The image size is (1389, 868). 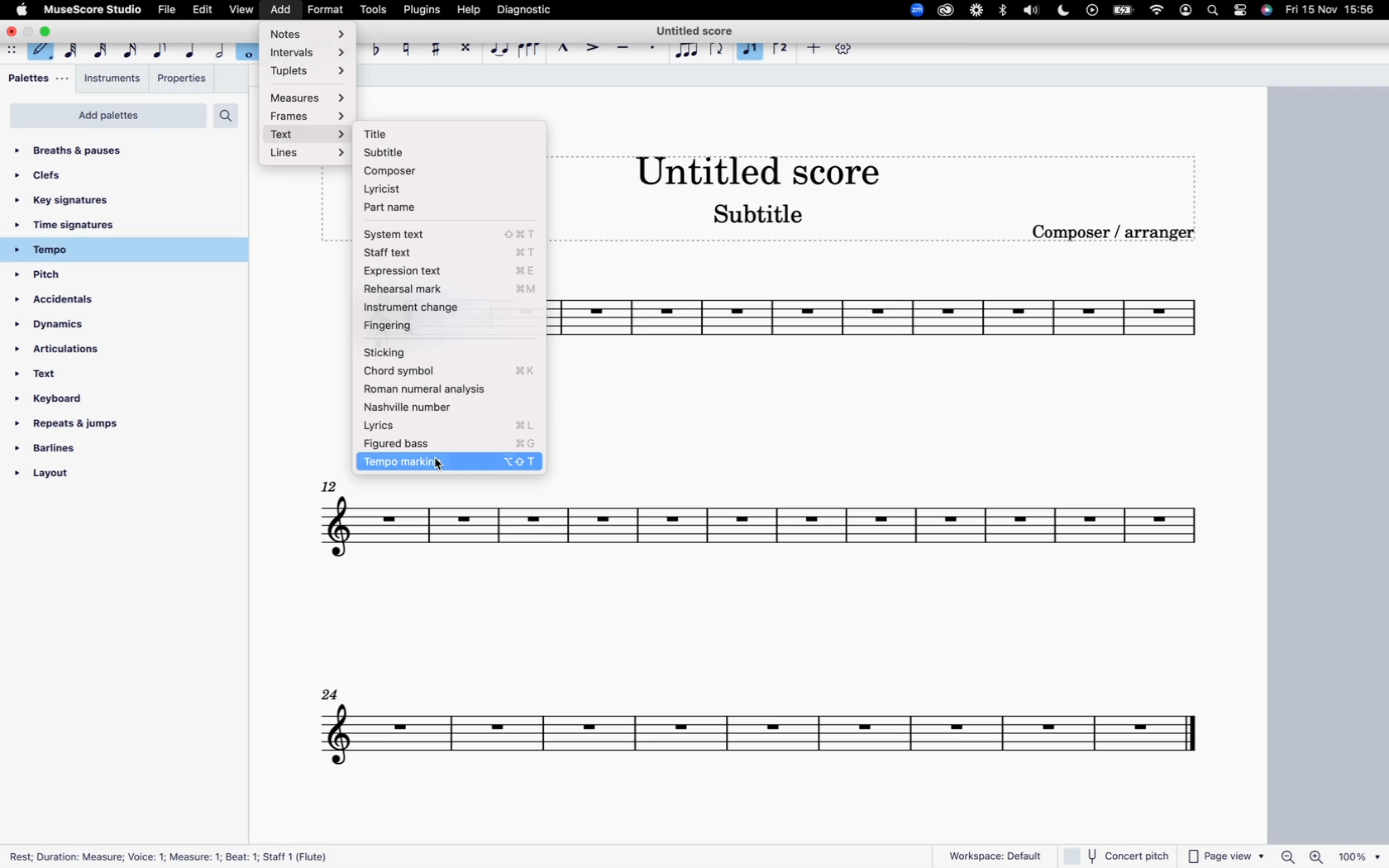 I want to click on loom, so click(x=974, y=12).